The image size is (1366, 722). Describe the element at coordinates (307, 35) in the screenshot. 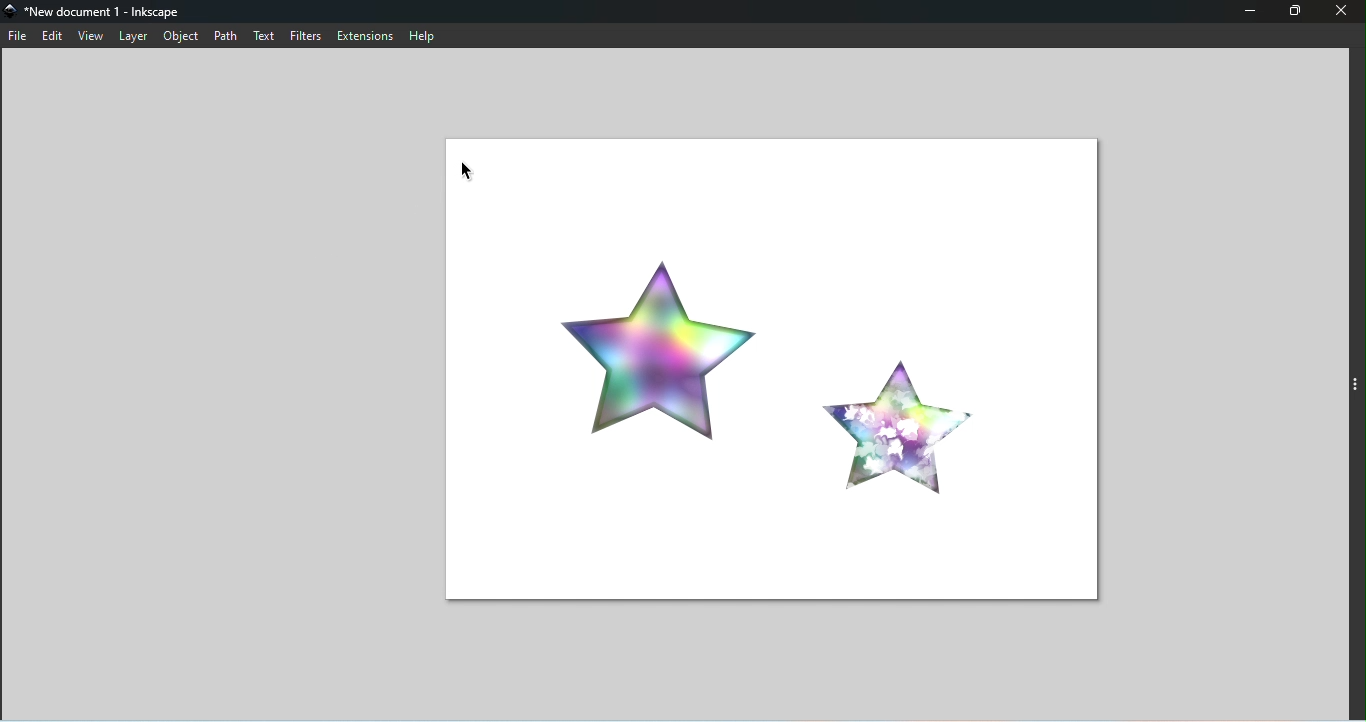

I see `Filters` at that location.